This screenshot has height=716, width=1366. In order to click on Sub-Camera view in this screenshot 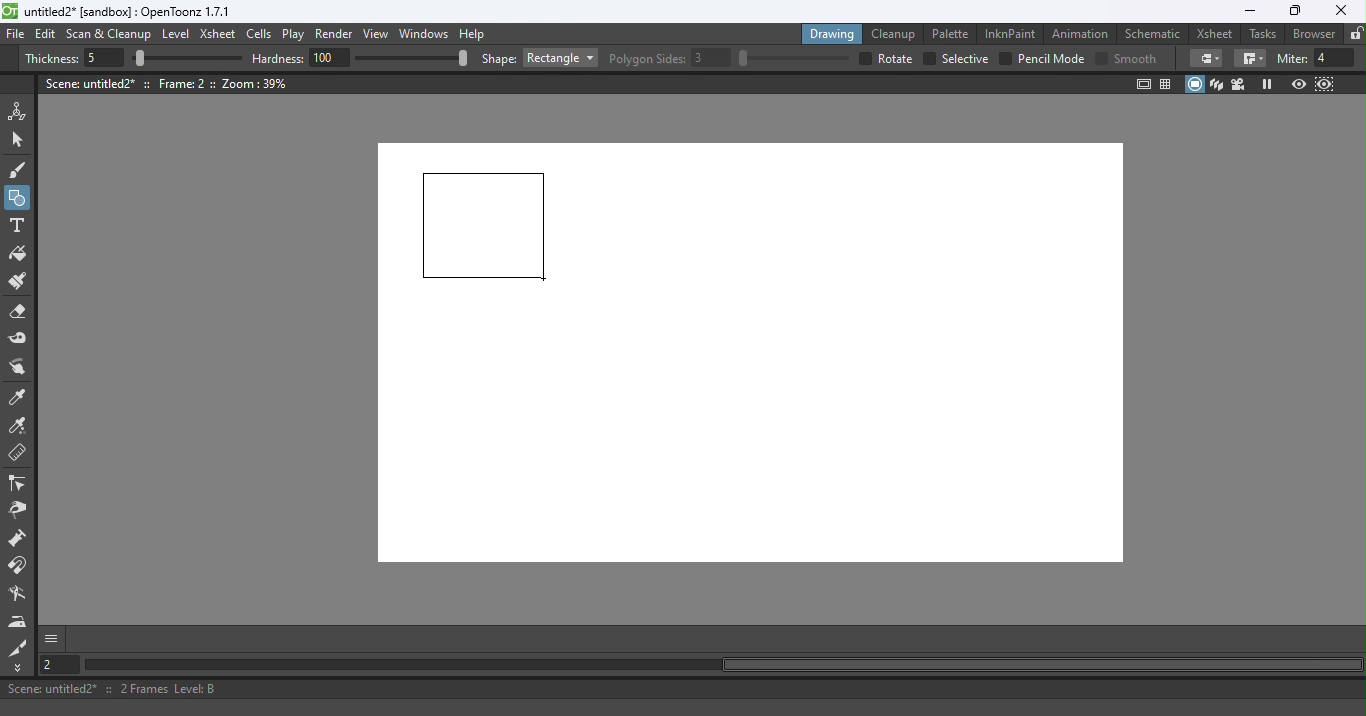, I will do `click(1326, 84)`.